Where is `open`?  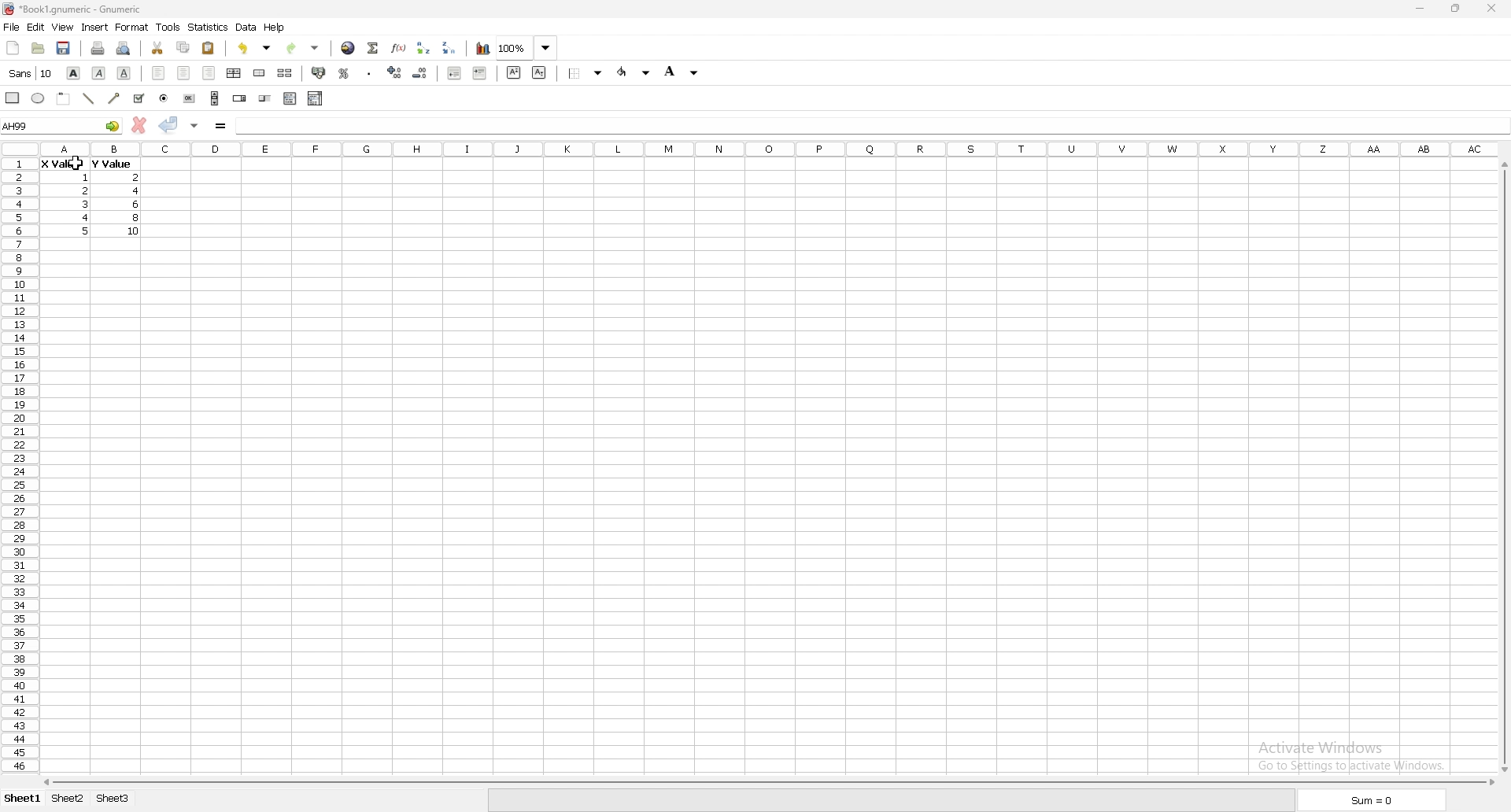 open is located at coordinates (38, 48).